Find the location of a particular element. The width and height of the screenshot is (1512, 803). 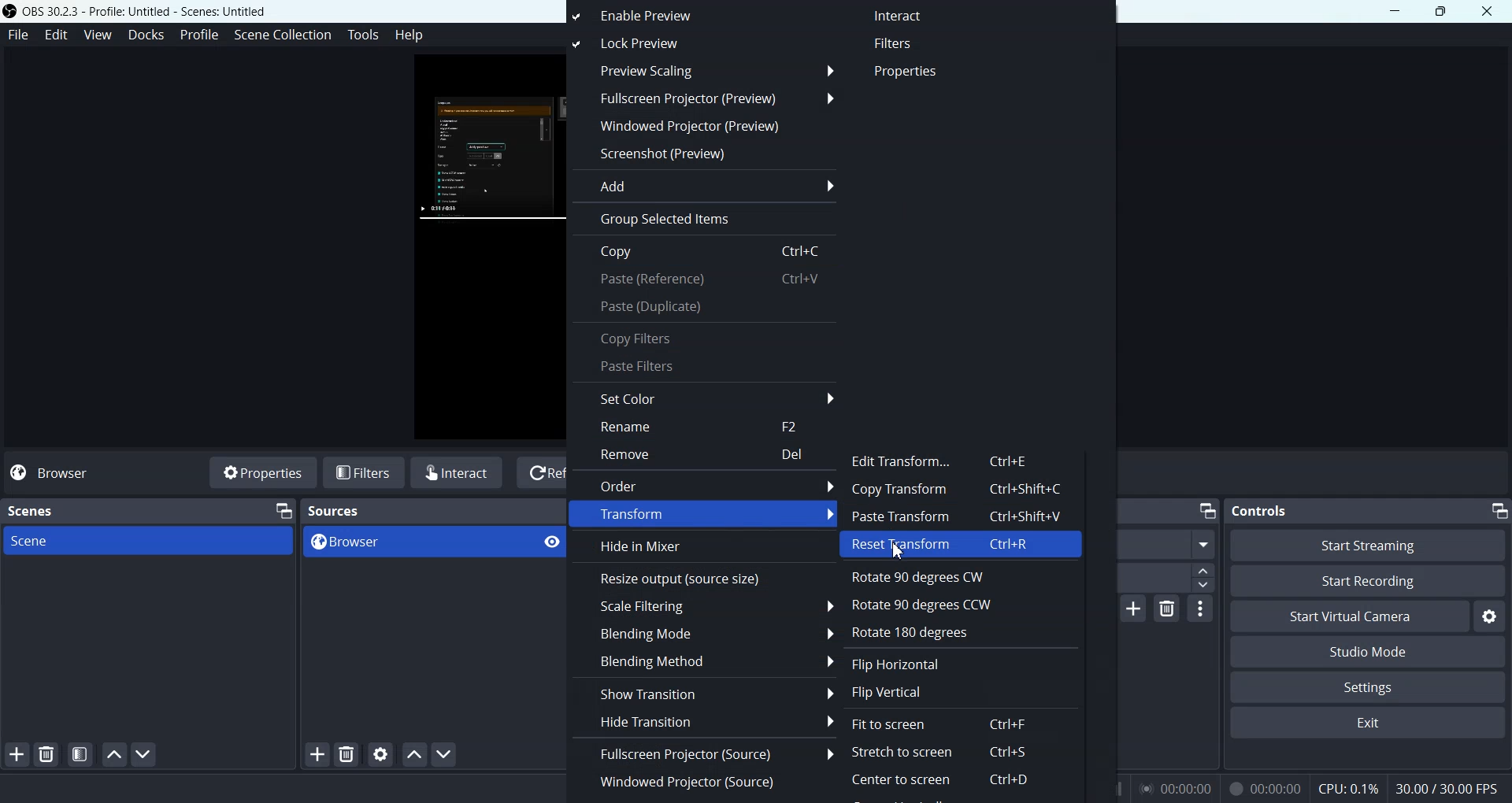

00:00:00 is located at coordinates (1176, 787).